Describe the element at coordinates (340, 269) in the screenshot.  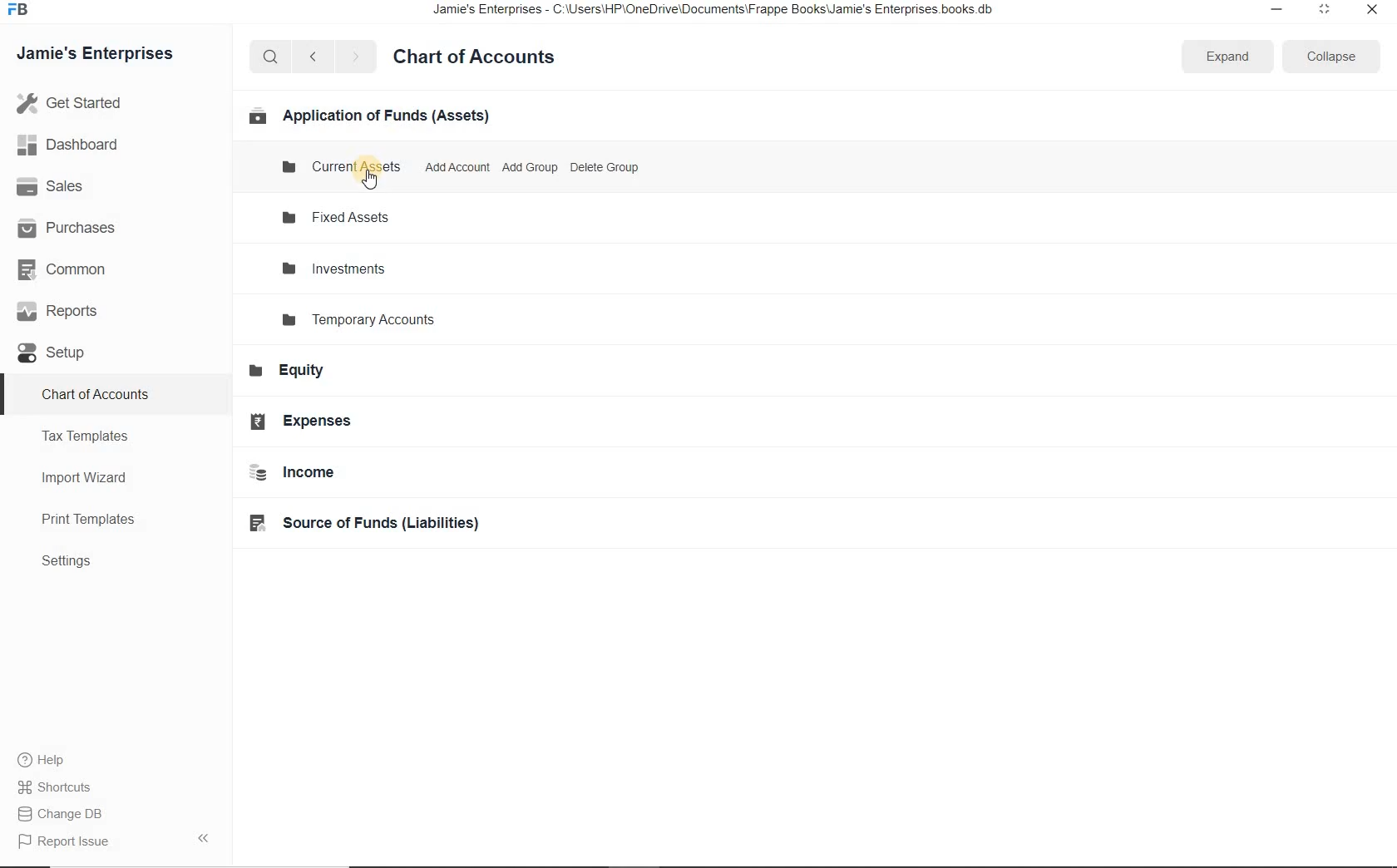
I see `BW Investments` at that location.